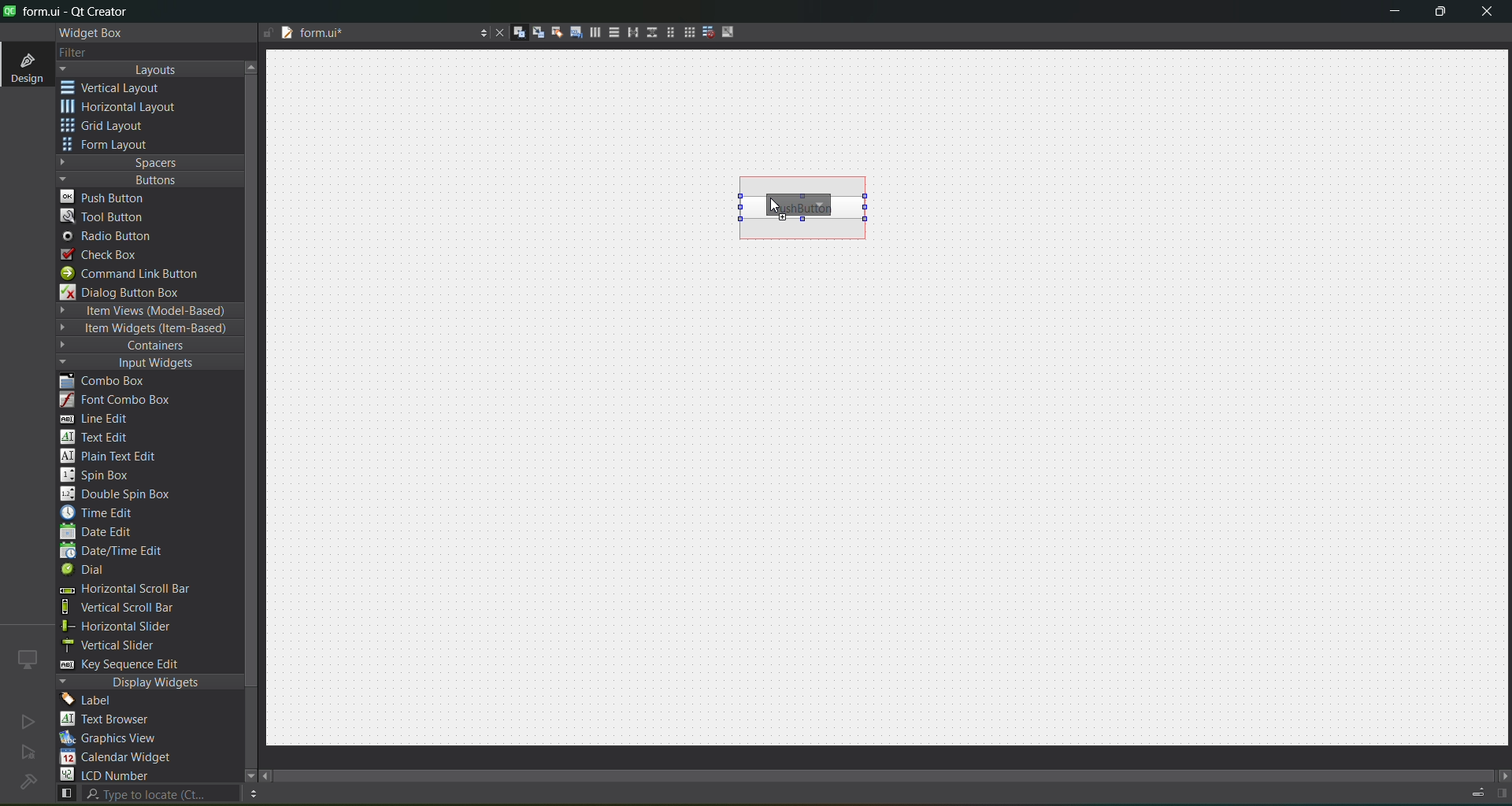 Image resolution: width=1512 pixels, height=806 pixels. I want to click on edit tab, so click(570, 35).